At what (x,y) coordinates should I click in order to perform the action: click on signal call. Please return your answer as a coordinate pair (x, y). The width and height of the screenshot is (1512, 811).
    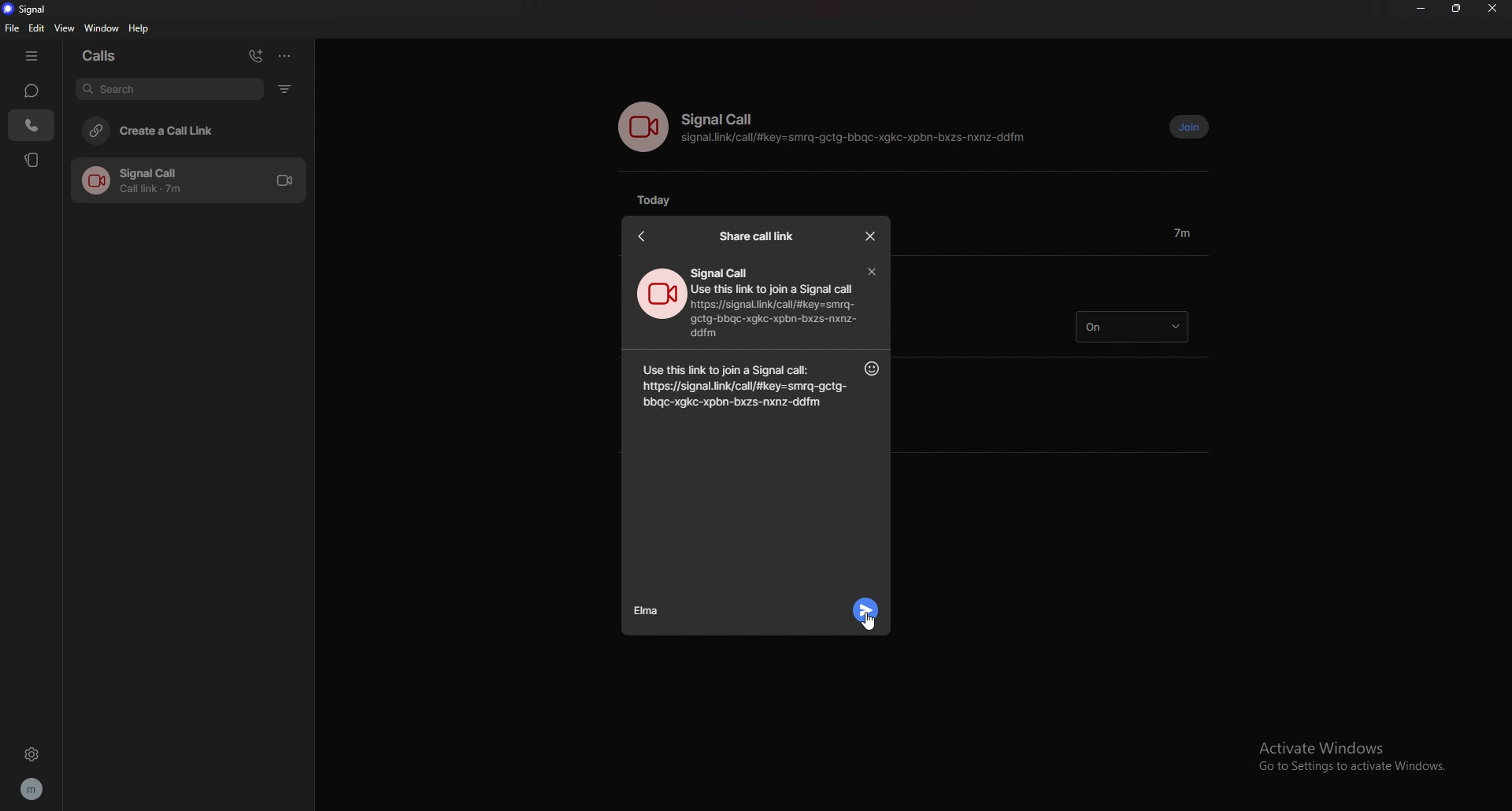
    Looking at the image, I should click on (721, 120).